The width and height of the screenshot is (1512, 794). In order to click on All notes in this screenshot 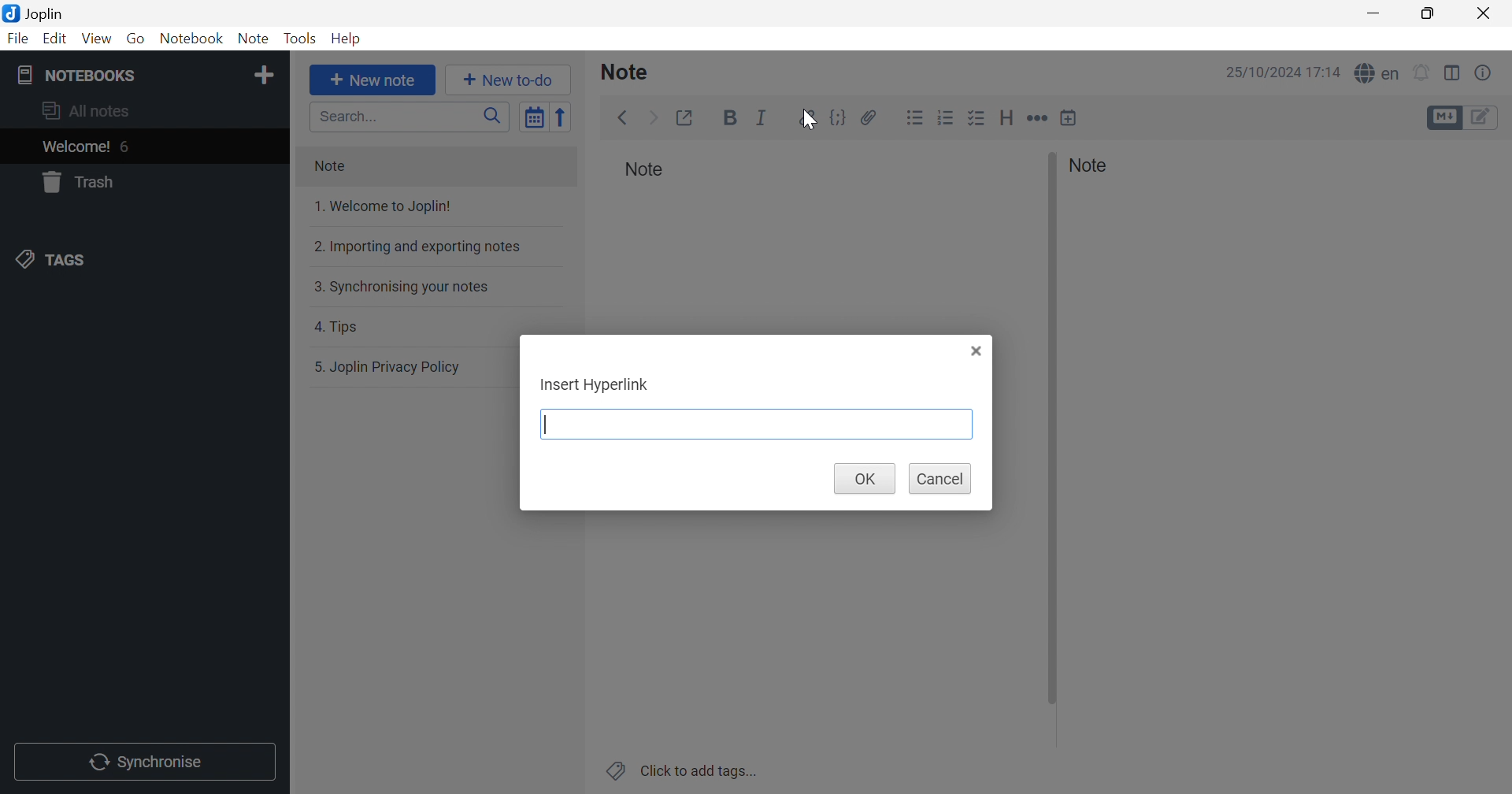, I will do `click(144, 113)`.